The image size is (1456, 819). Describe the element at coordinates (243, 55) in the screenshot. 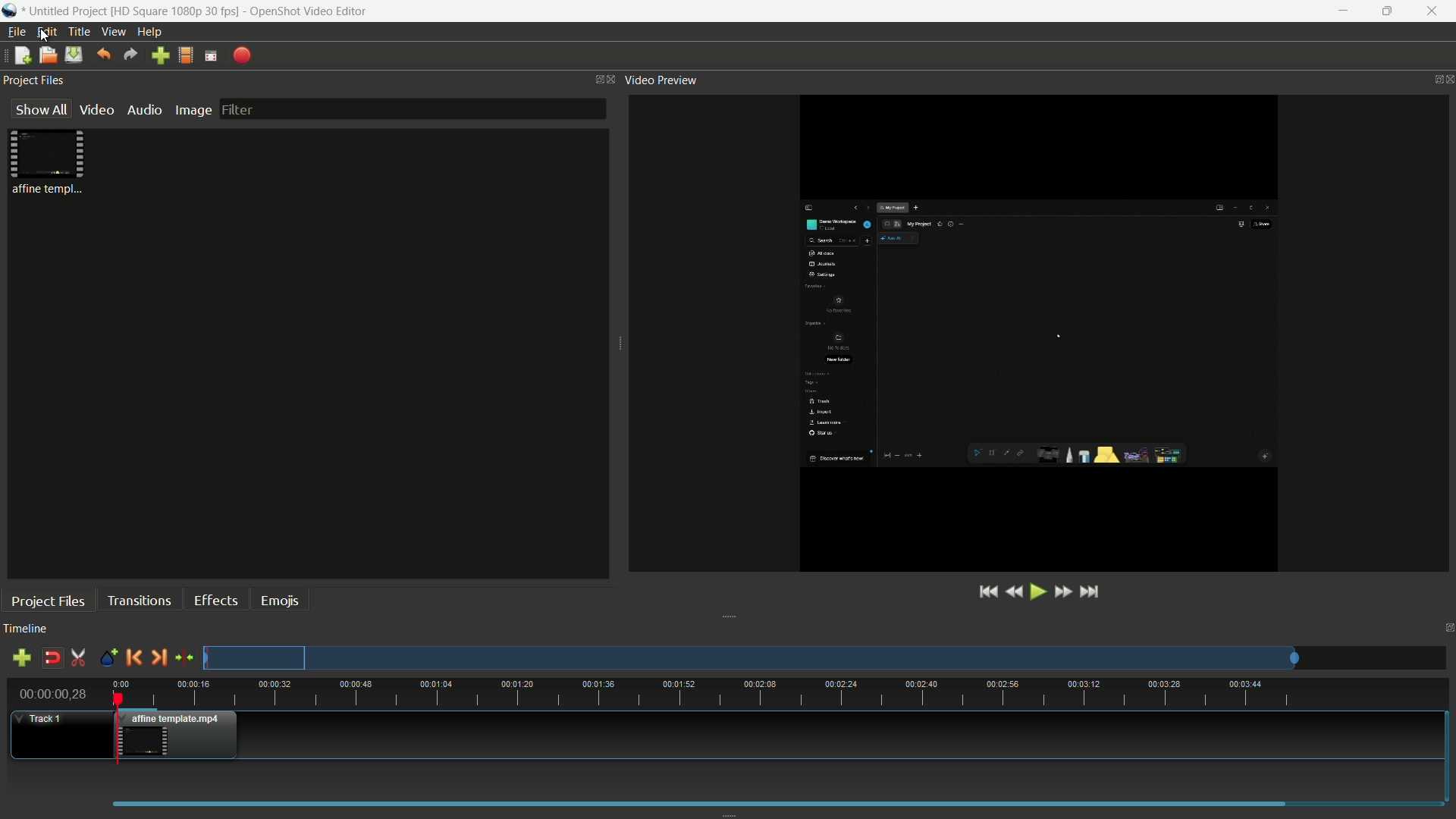

I see `export` at that location.